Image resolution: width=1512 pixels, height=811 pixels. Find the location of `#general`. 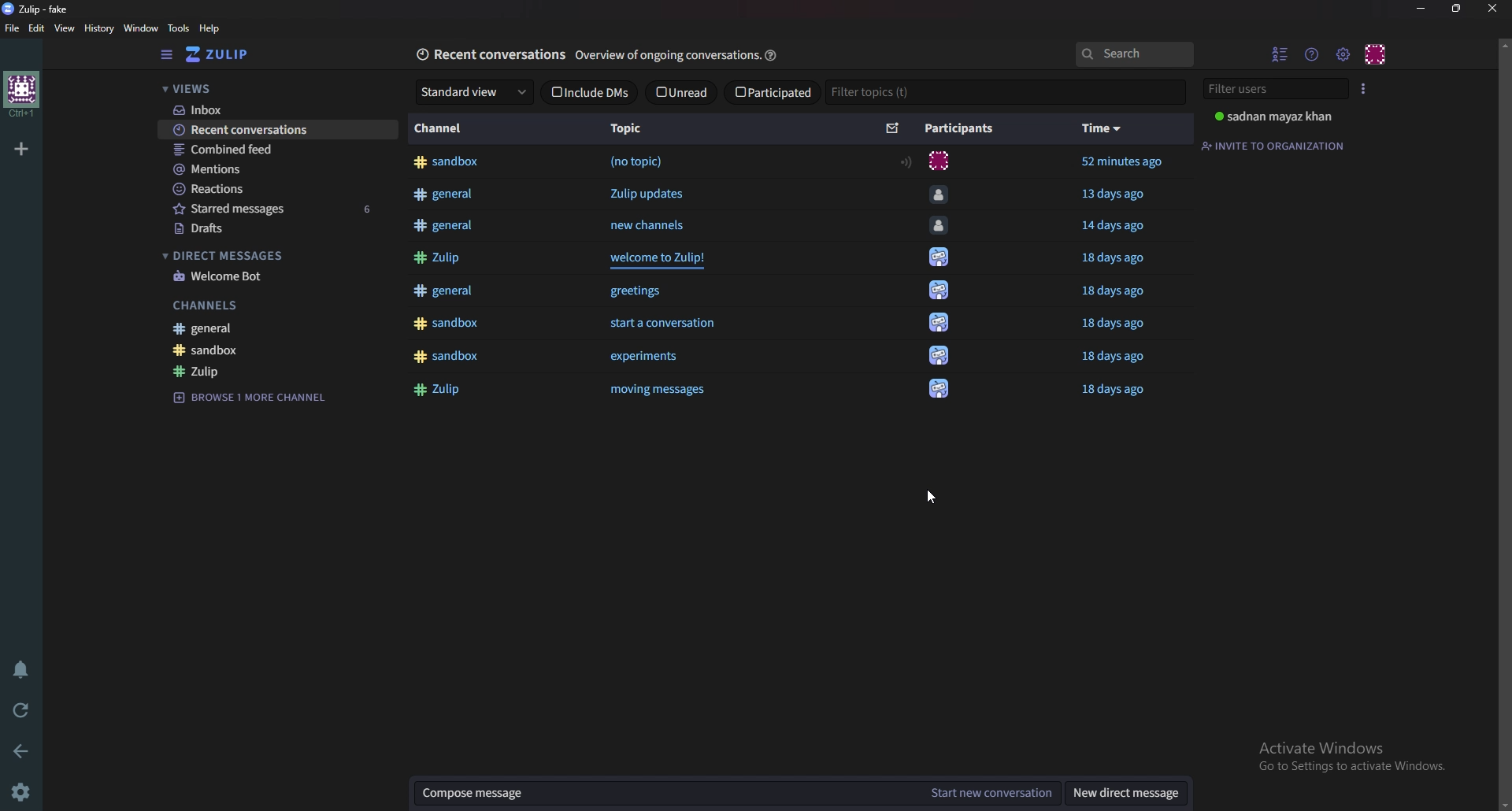

#general is located at coordinates (441, 294).